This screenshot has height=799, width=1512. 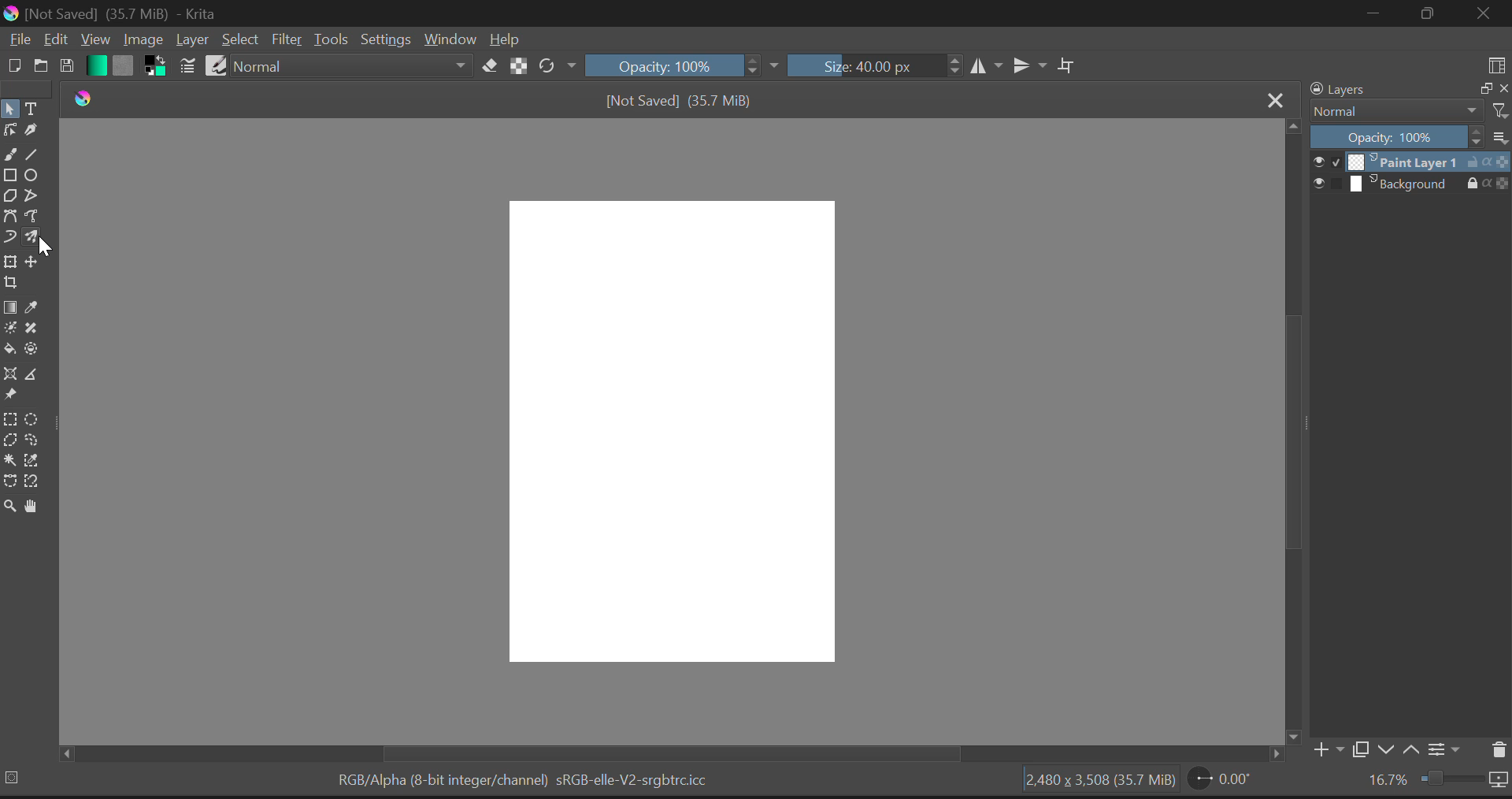 I want to click on close, so click(x=1503, y=89).